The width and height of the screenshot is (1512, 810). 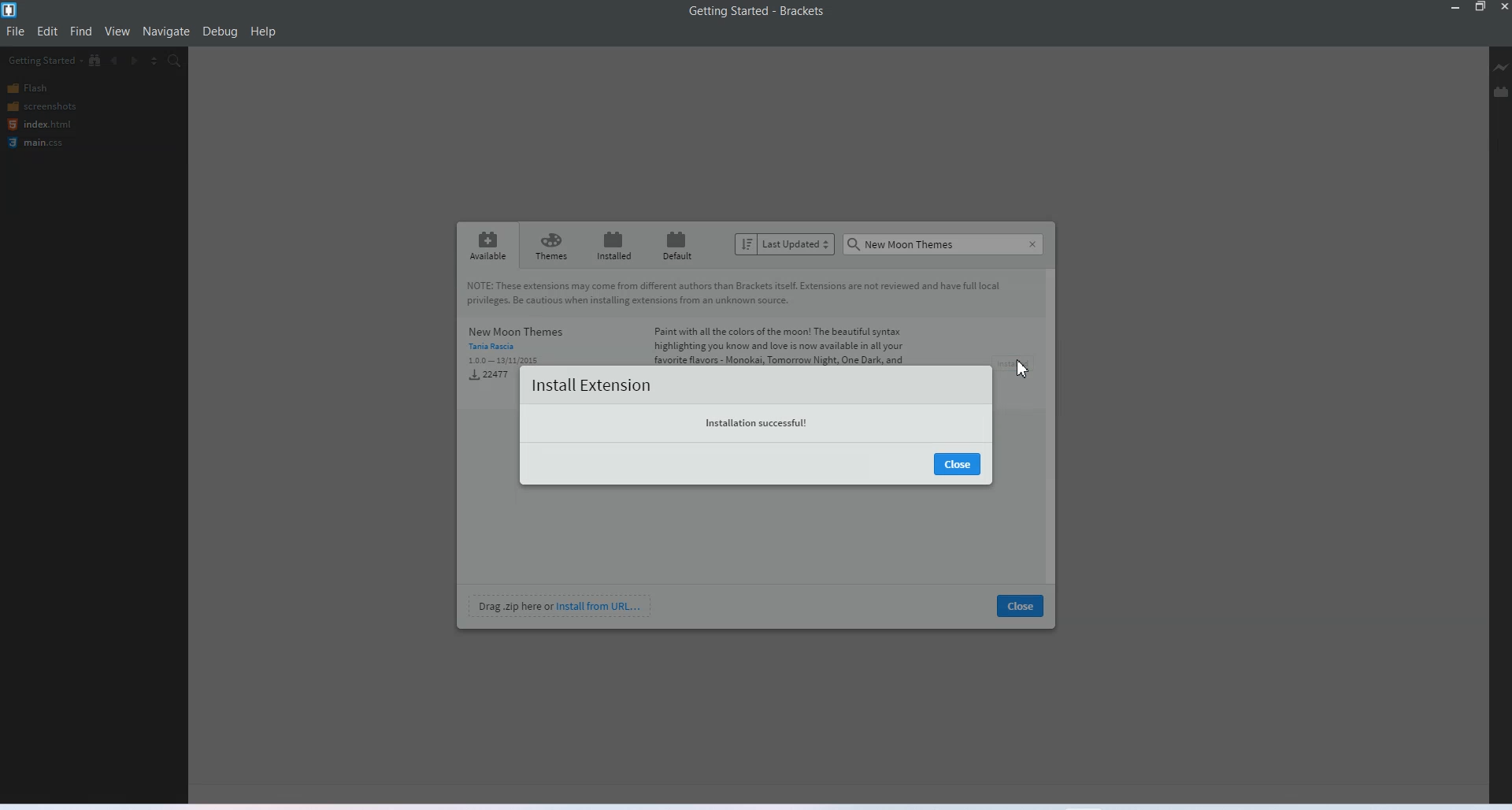 What do you see at coordinates (550, 245) in the screenshot?
I see `Themes` at bounding box center [550, 245].